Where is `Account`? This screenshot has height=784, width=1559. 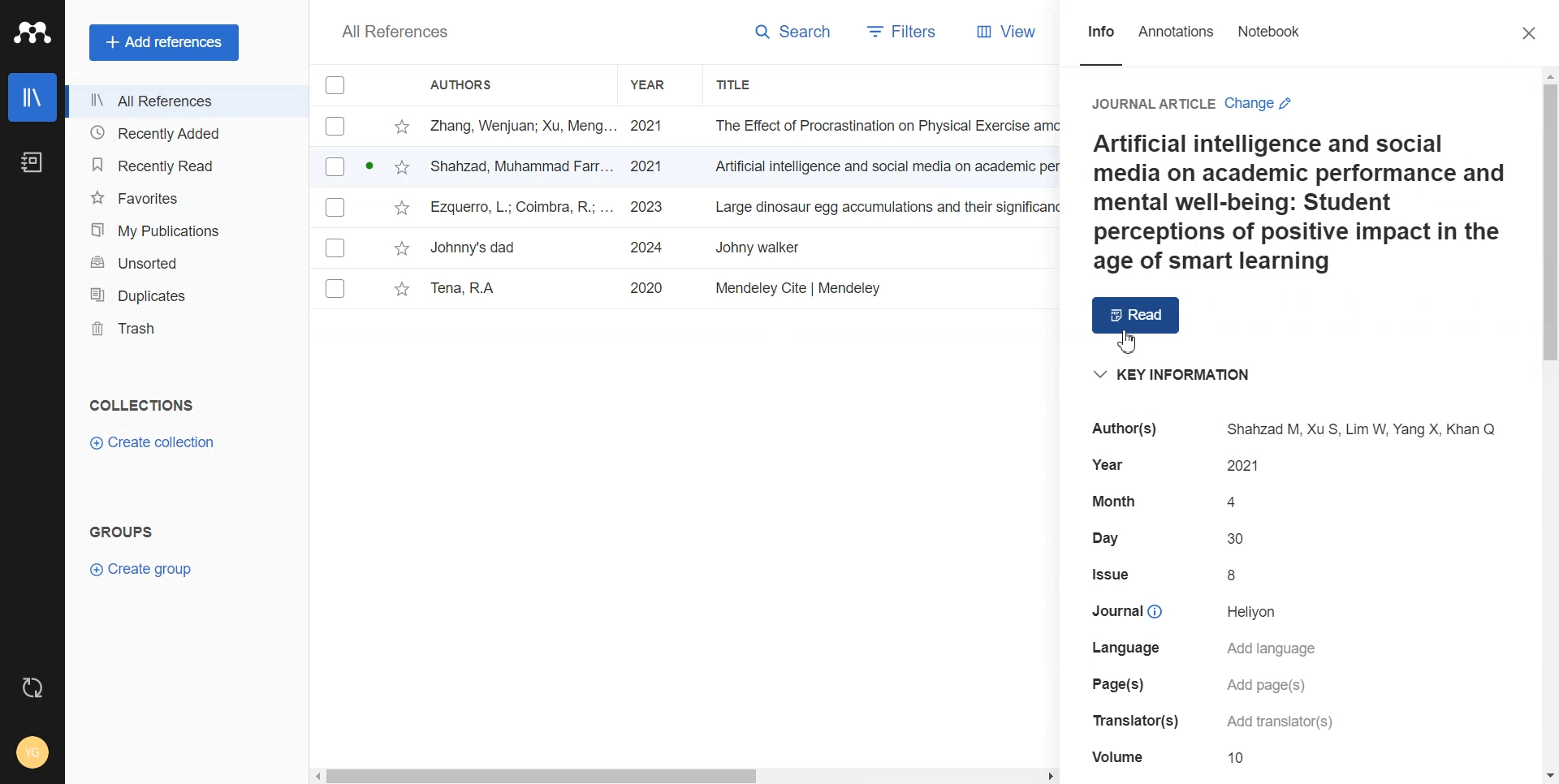 Account is located at coordinates (32, 754).